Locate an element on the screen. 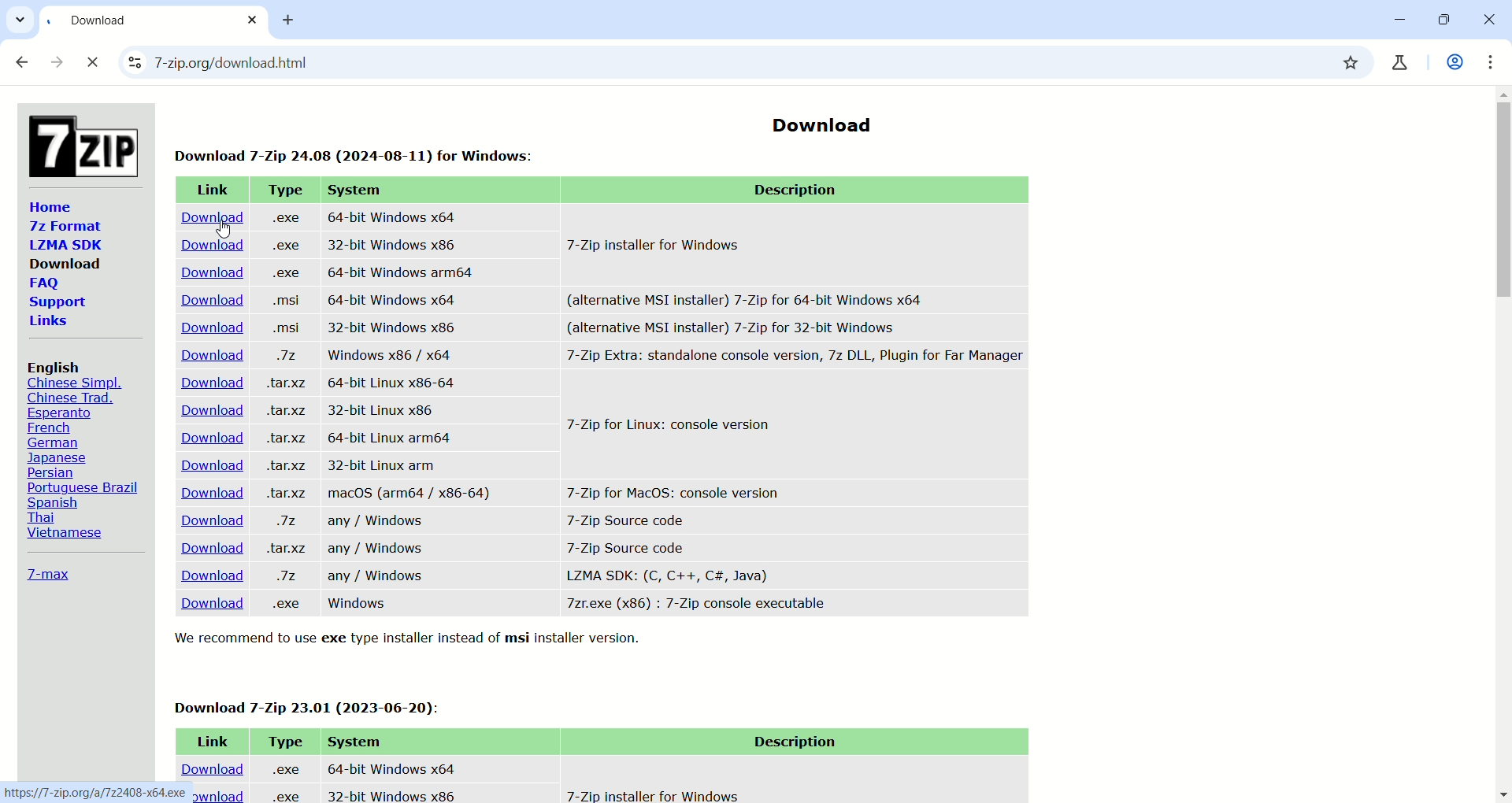 This screenshot has width=1512, height=803. .tarxz is located at coordinates (289, 383).